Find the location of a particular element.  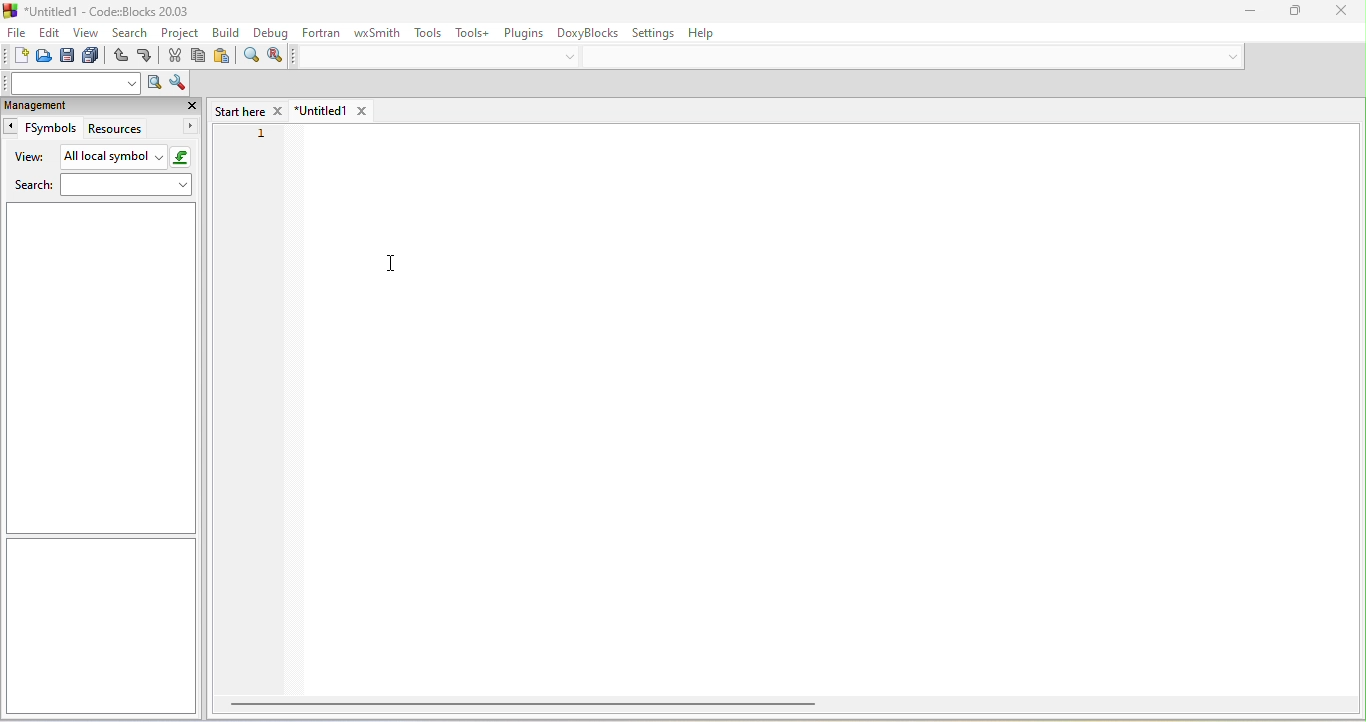

replace is located at coordinates (278, 57).